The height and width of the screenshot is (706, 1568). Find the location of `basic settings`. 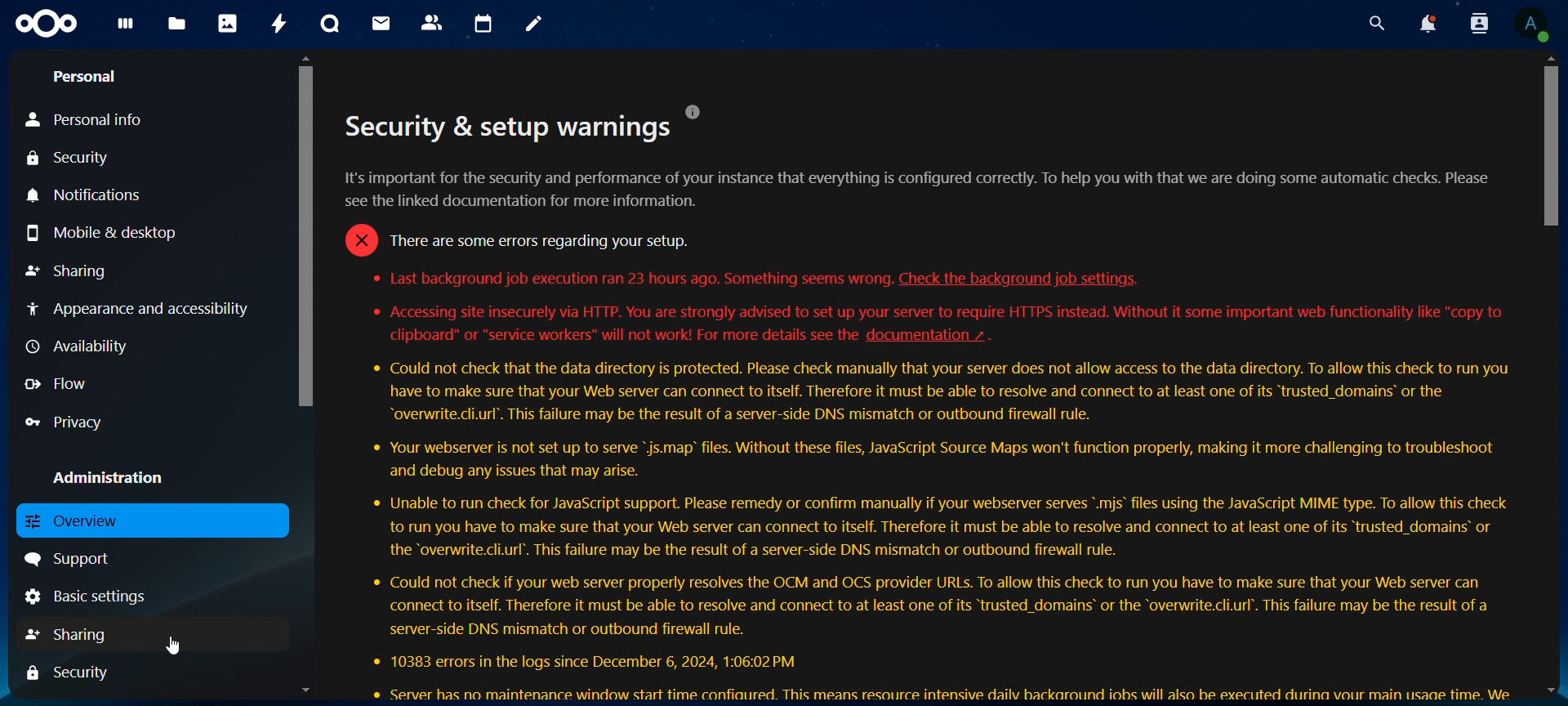

basic settings is located at coordinates (92, 597).